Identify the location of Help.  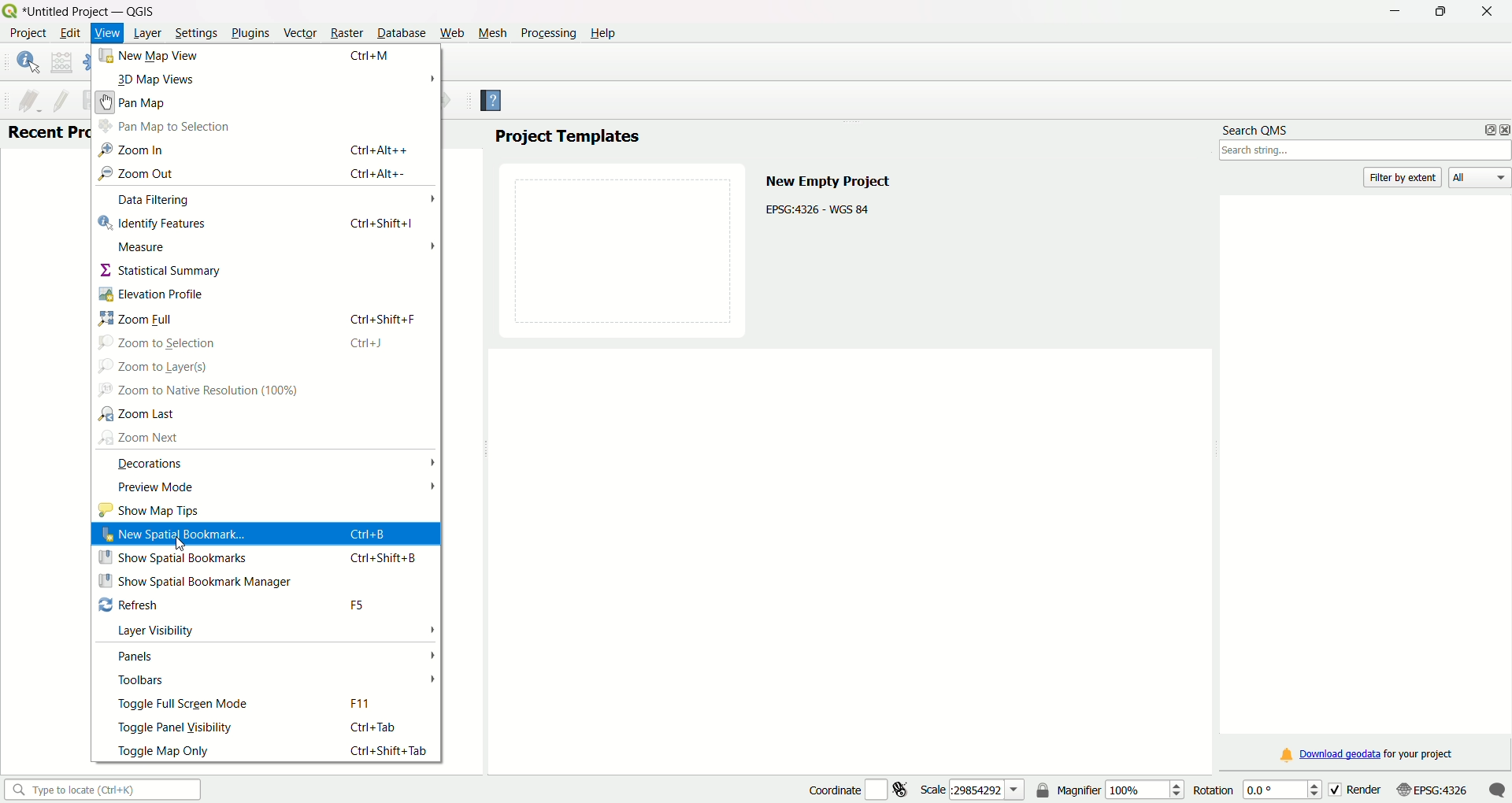
(606, 31).